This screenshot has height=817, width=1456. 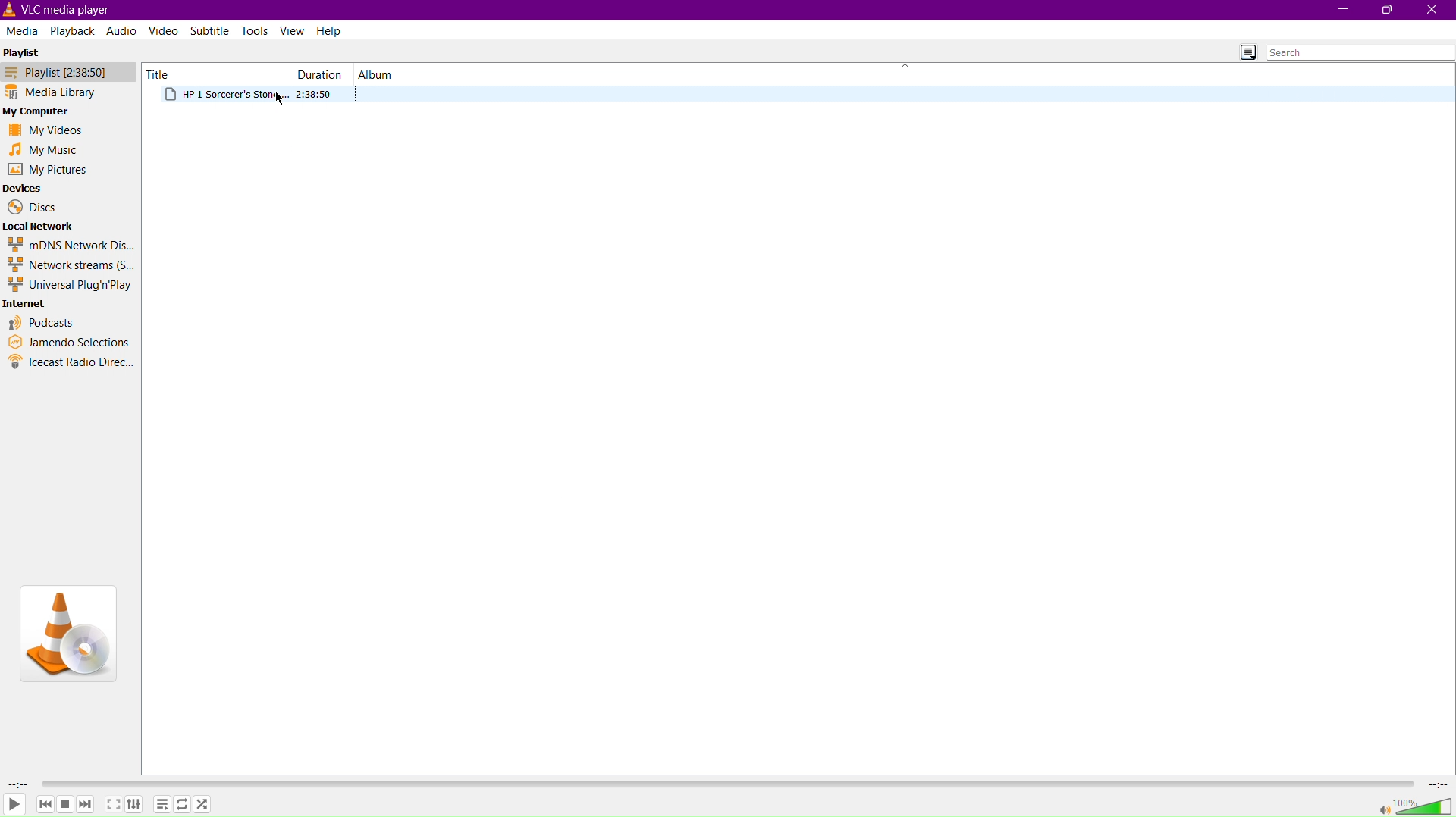 I want to click on Playlist, so click(x=163, y=803).